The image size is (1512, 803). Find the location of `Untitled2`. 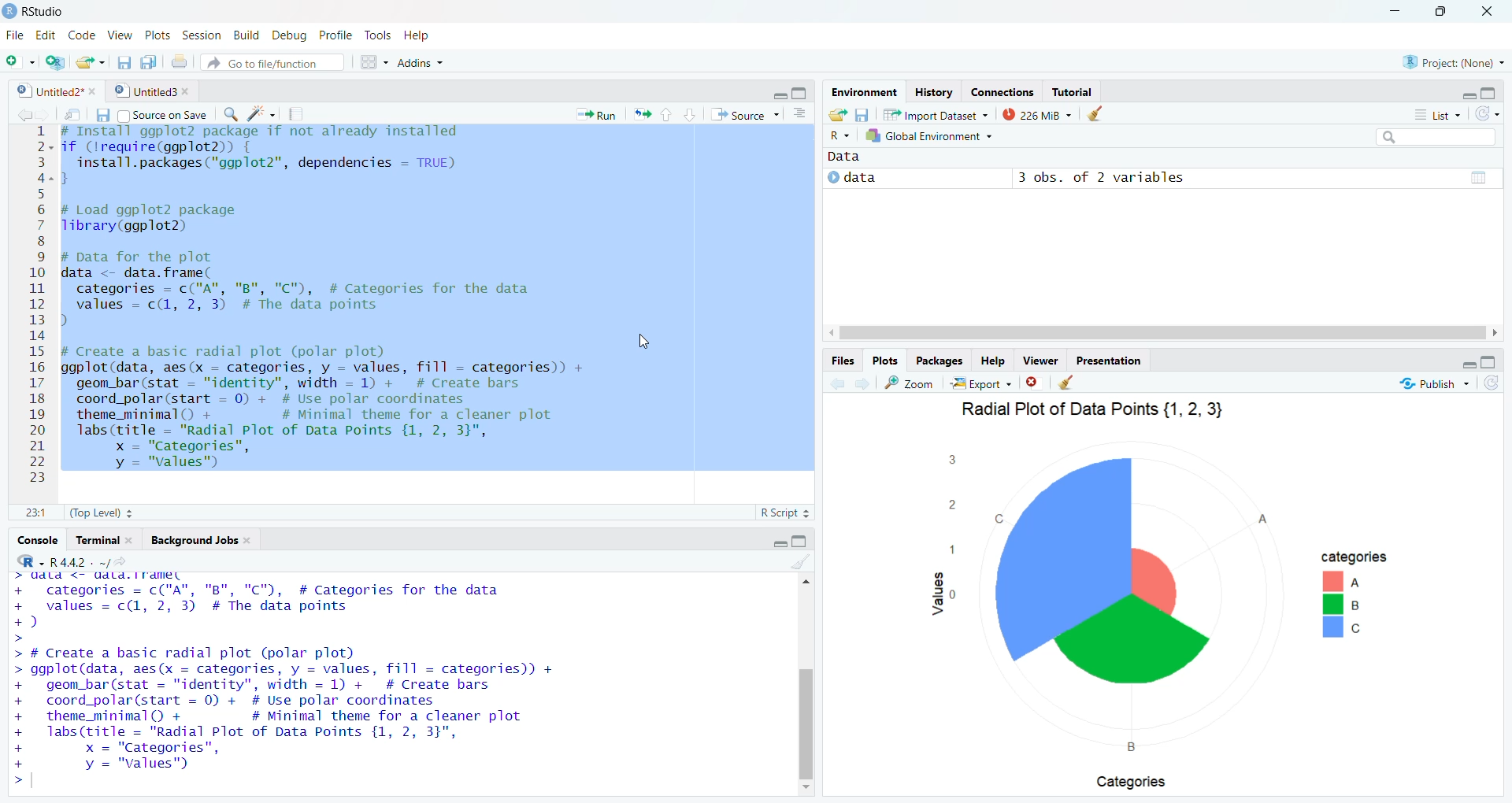

Untitled2 is located at coordinates (60, 92).